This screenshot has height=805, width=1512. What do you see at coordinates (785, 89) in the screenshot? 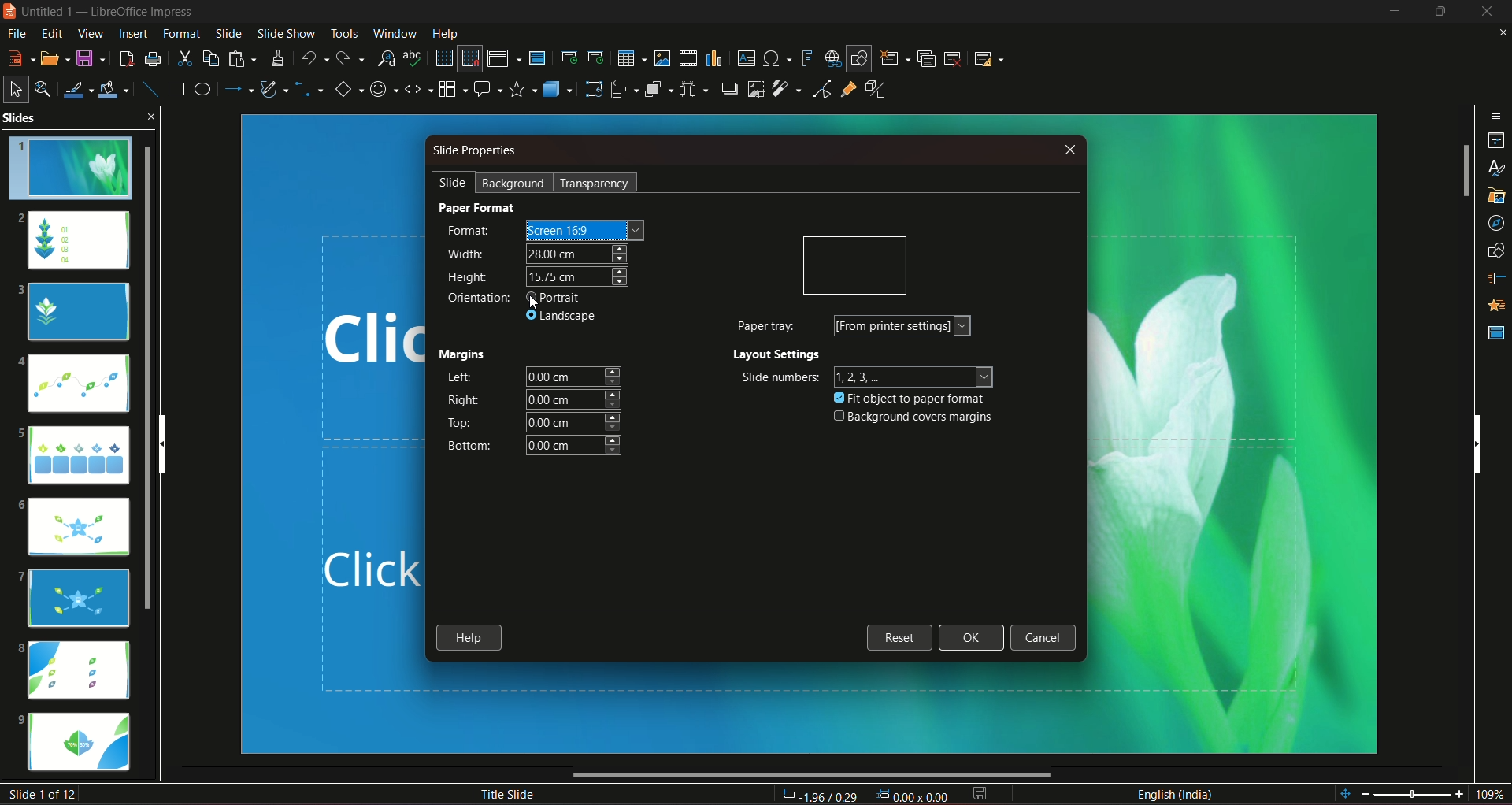
I see `filter` at bounding box center [785, 89].